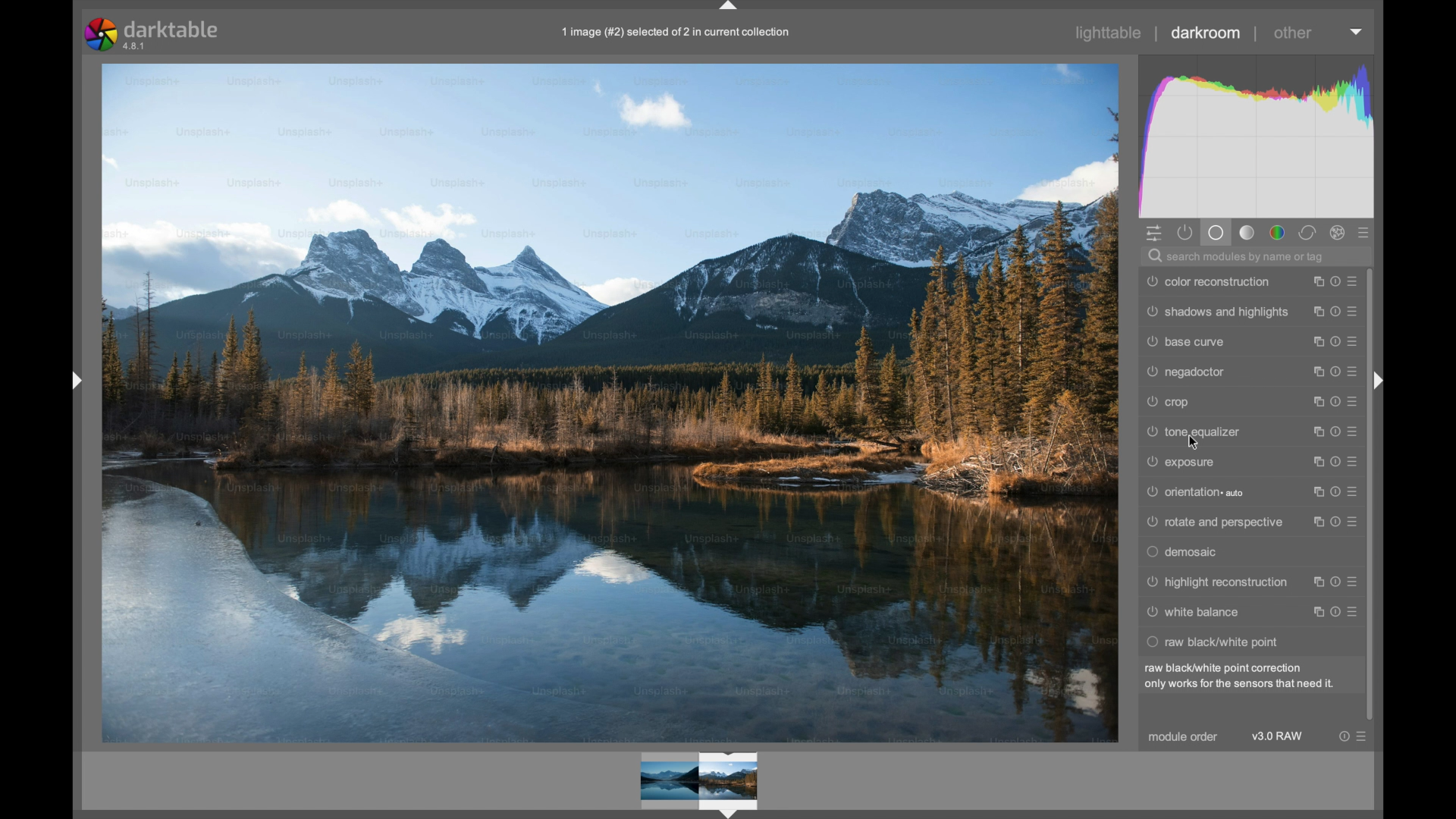 Image resolution: width=1456 pixels, height=819 pixels. What do you see at coordinates (1341, 737) in the screenshot?
I see `reset parameters` at bounding box center [1341, 737].